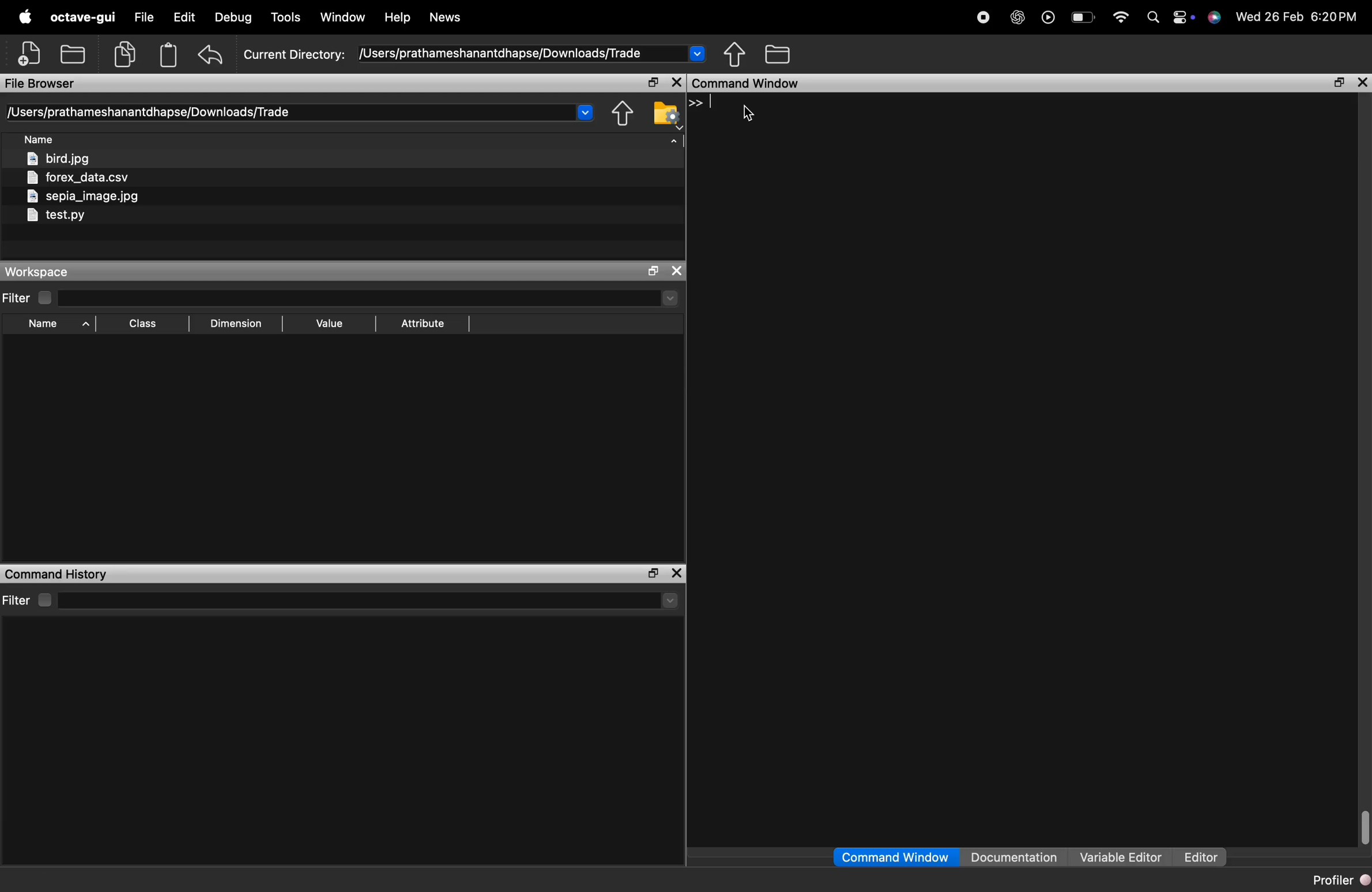 This screenshot has height=892, width=1372. What do you see at coordinates (55, 216) in the screenshot?
I see `test.py` at bounding box center [55, 216].